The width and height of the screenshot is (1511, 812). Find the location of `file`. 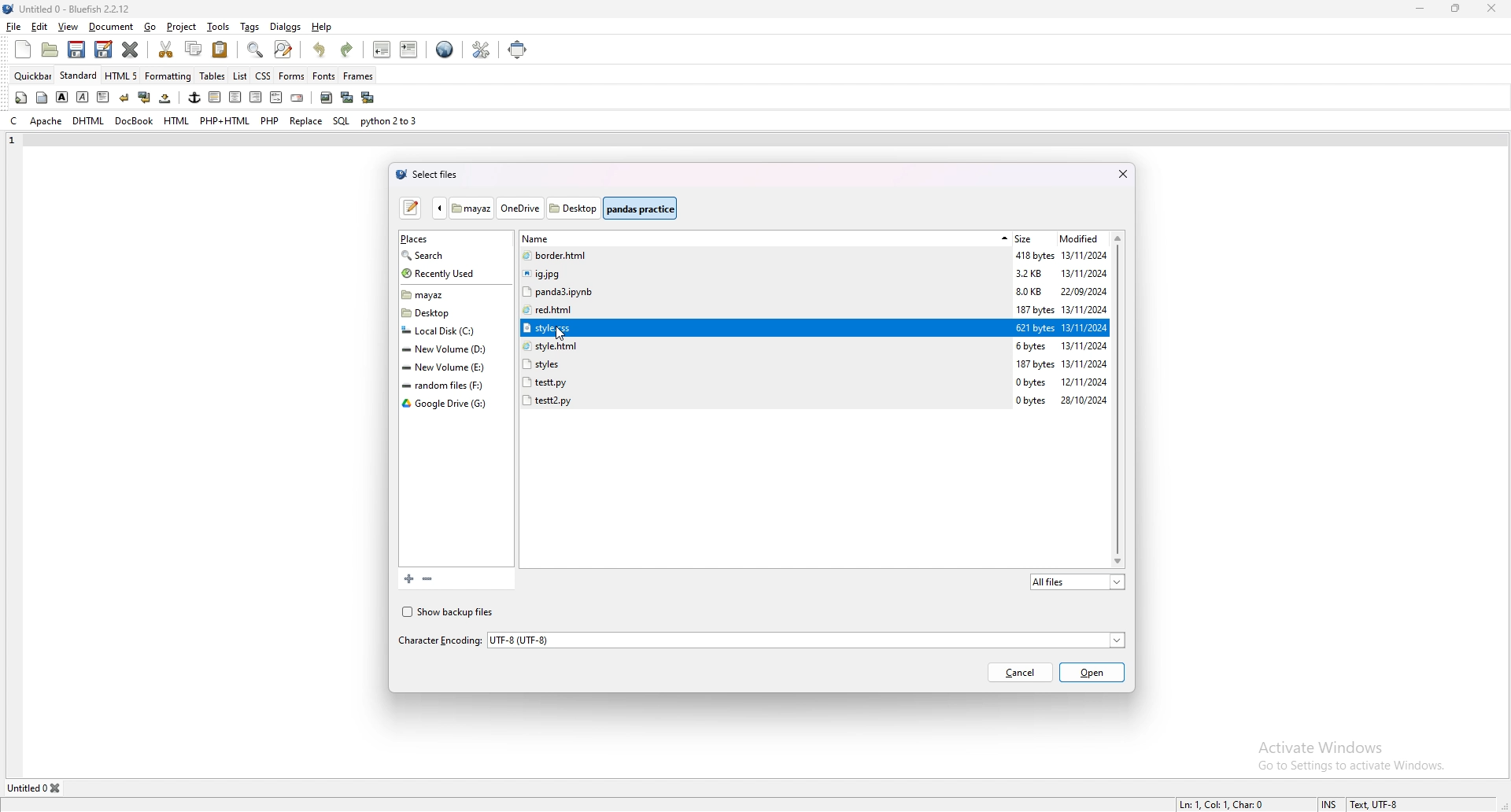

file is located at coordinates (764, 308).